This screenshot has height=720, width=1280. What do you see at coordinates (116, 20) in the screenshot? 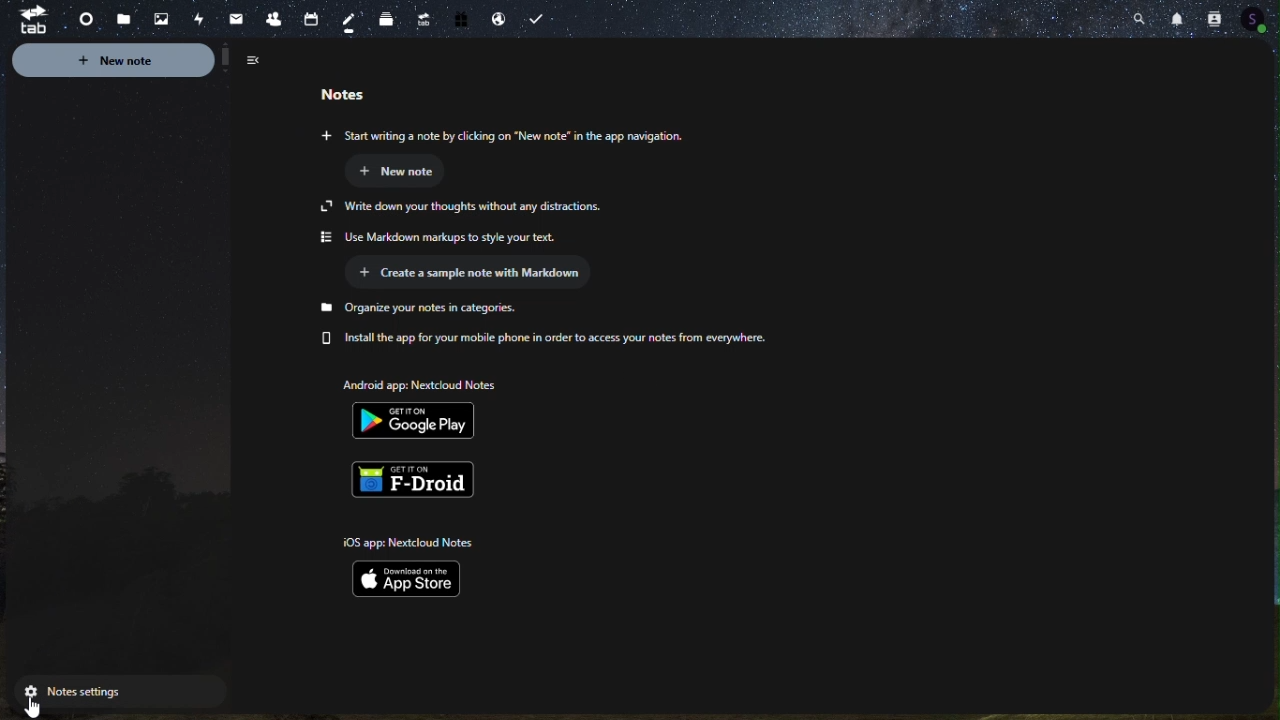
I see `File` at bounding box center [116, 20].